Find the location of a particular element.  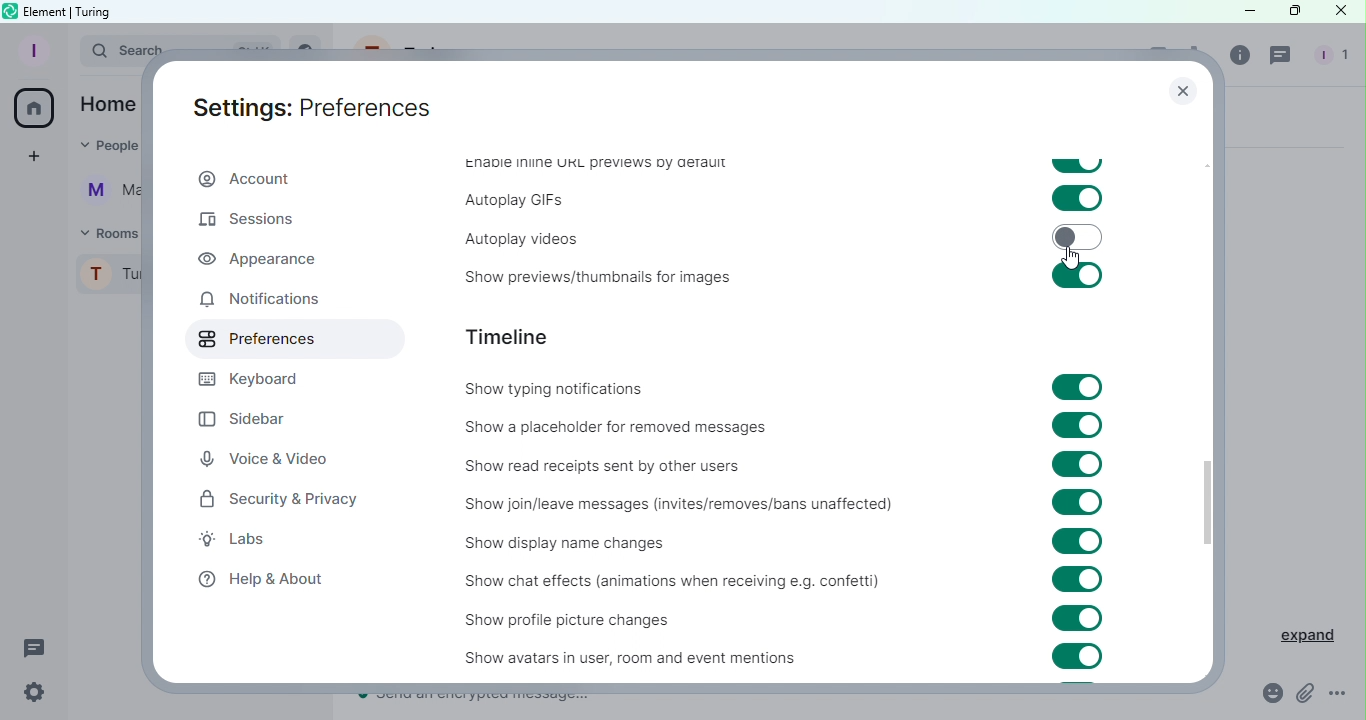

Emoji is located at coordinates (1265, 694).